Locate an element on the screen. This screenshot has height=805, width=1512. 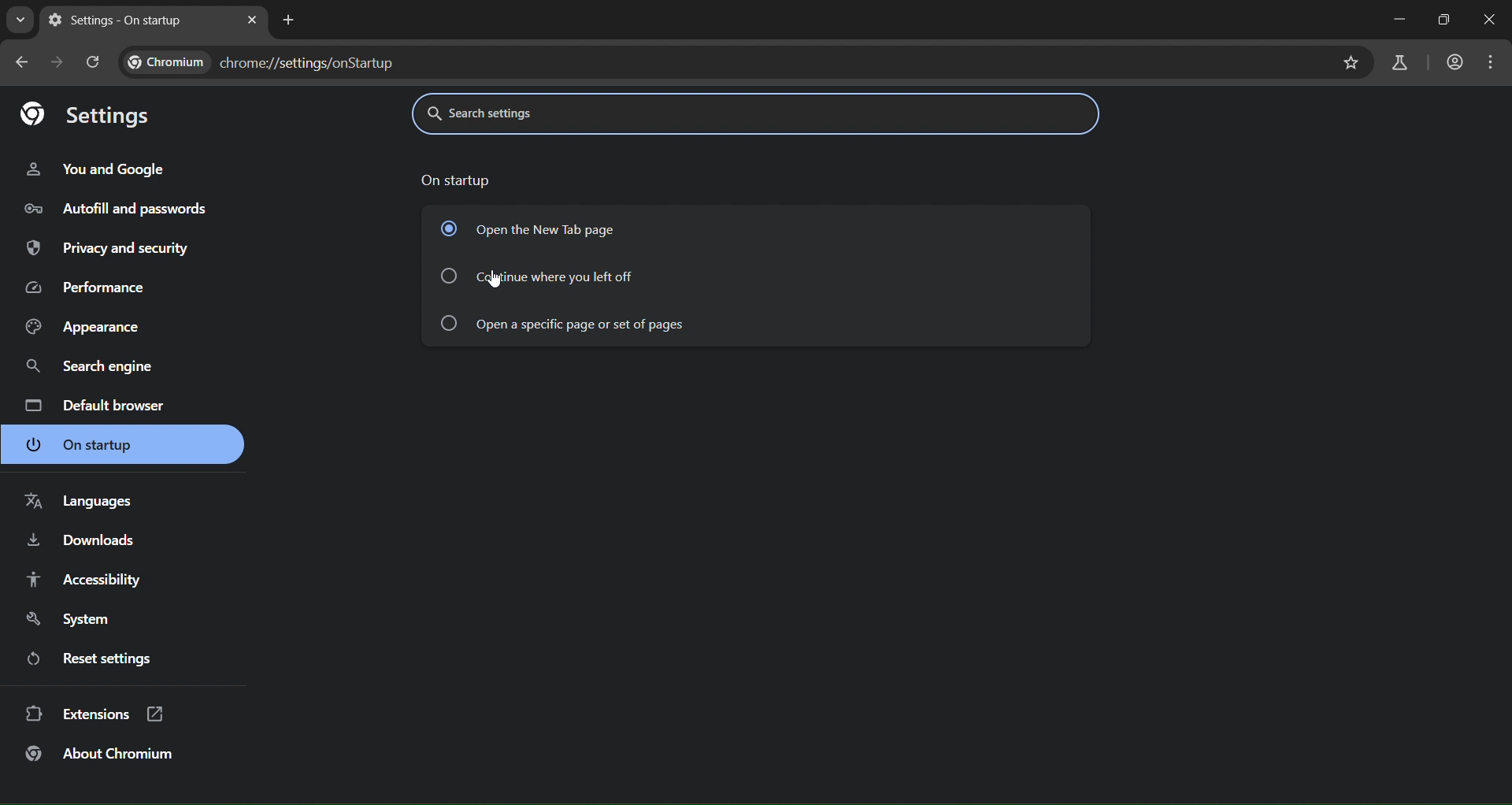
you and google  is located at coordinates (98, 172).